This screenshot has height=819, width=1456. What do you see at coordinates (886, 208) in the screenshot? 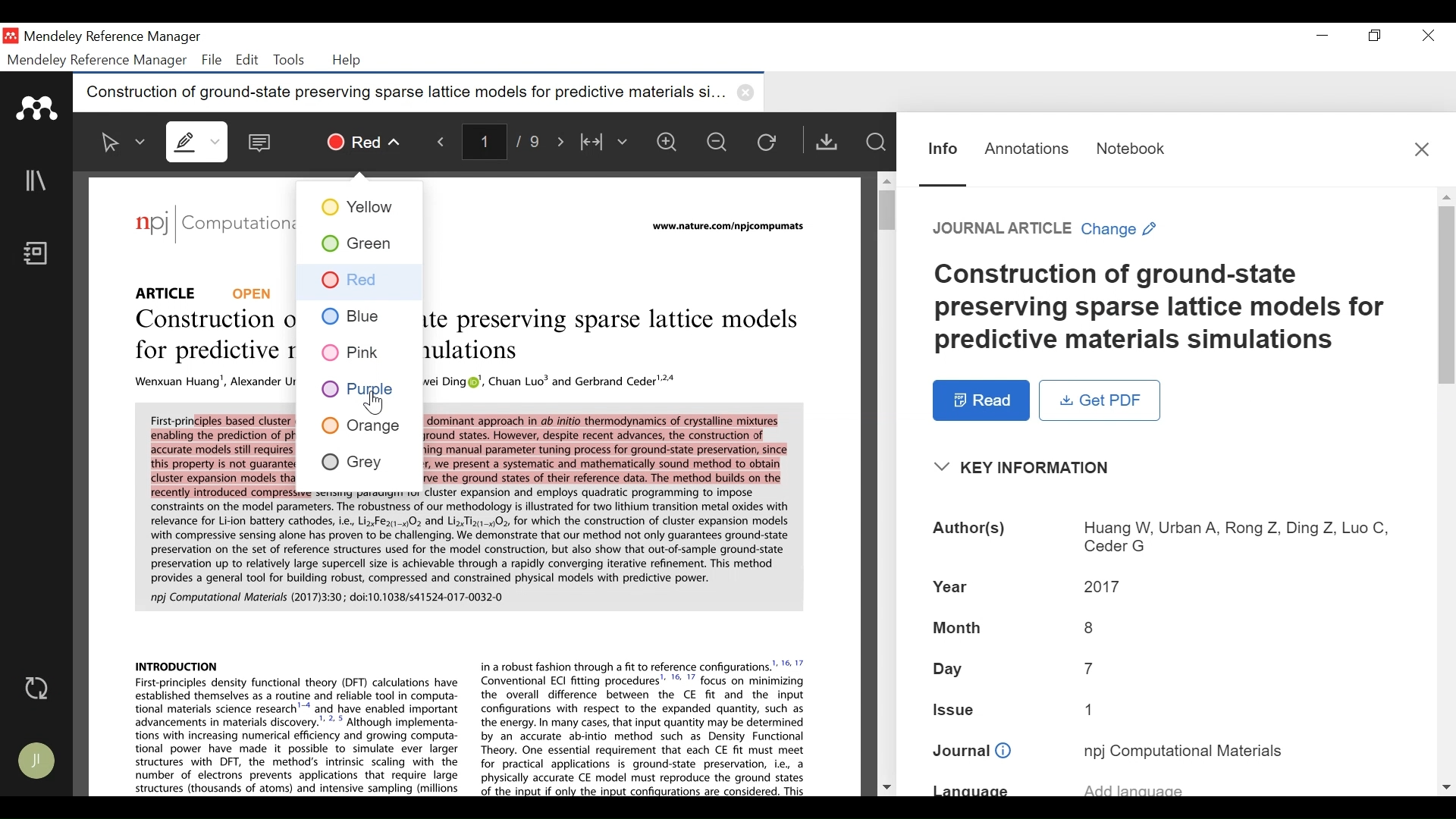
I see `Vertical Scroll bar` at bounding box center [886, 208].